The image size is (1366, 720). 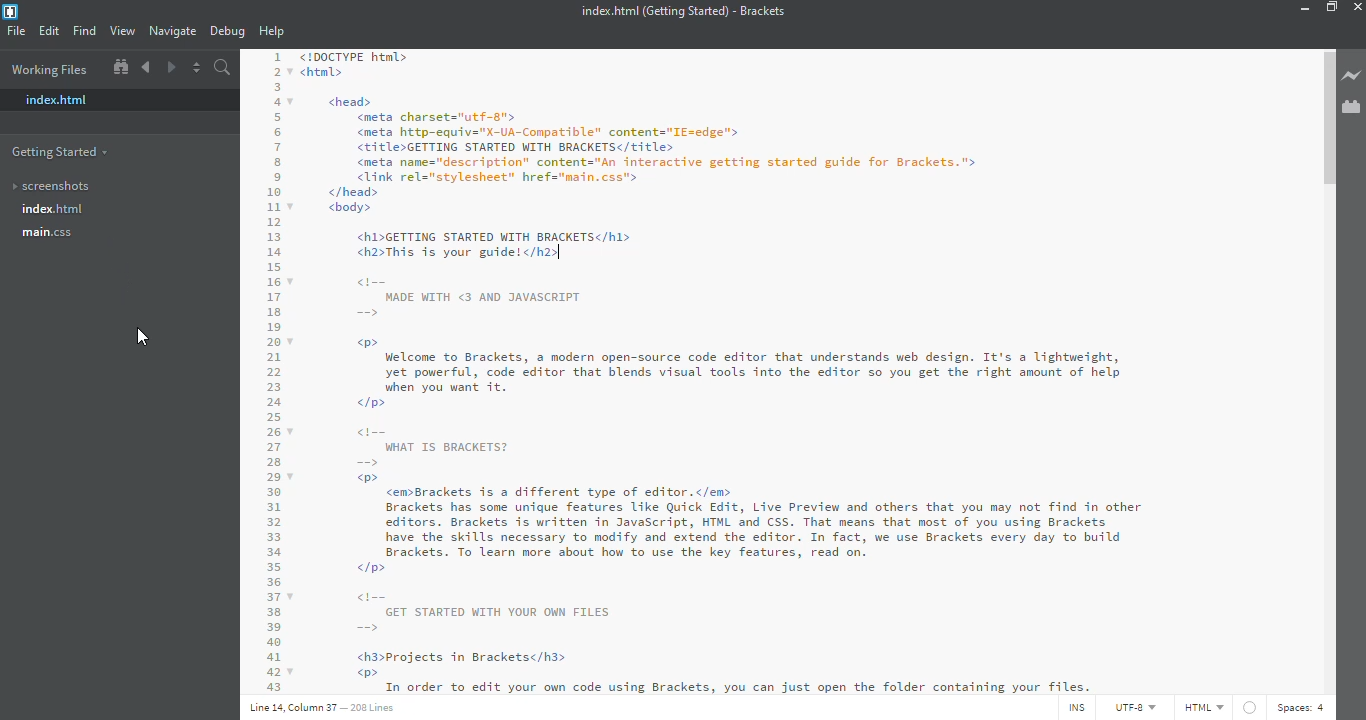 I want to click on no linter available, so click(x=1251, y=708).